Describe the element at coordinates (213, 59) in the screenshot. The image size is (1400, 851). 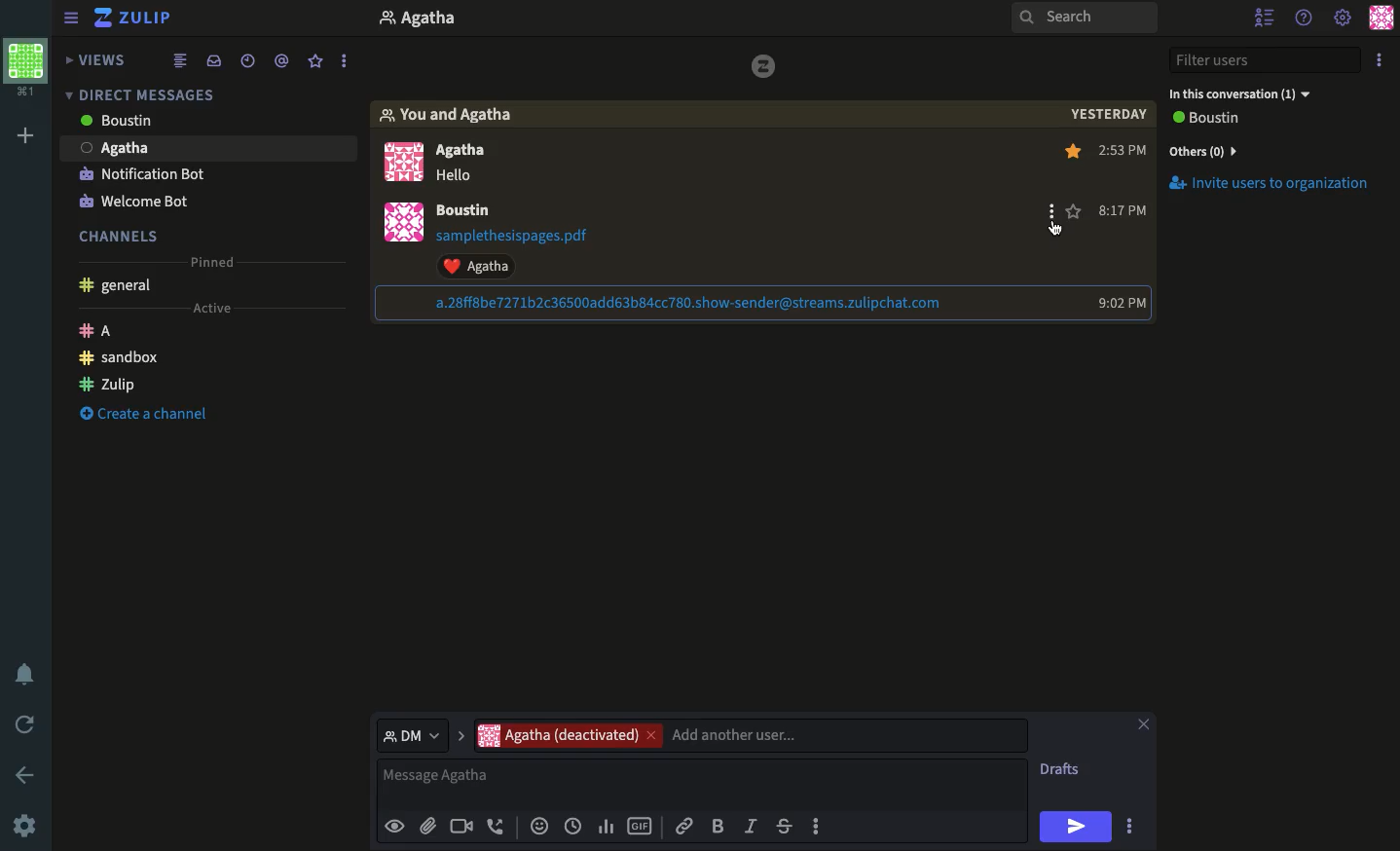
I see `Inbox` at that location.